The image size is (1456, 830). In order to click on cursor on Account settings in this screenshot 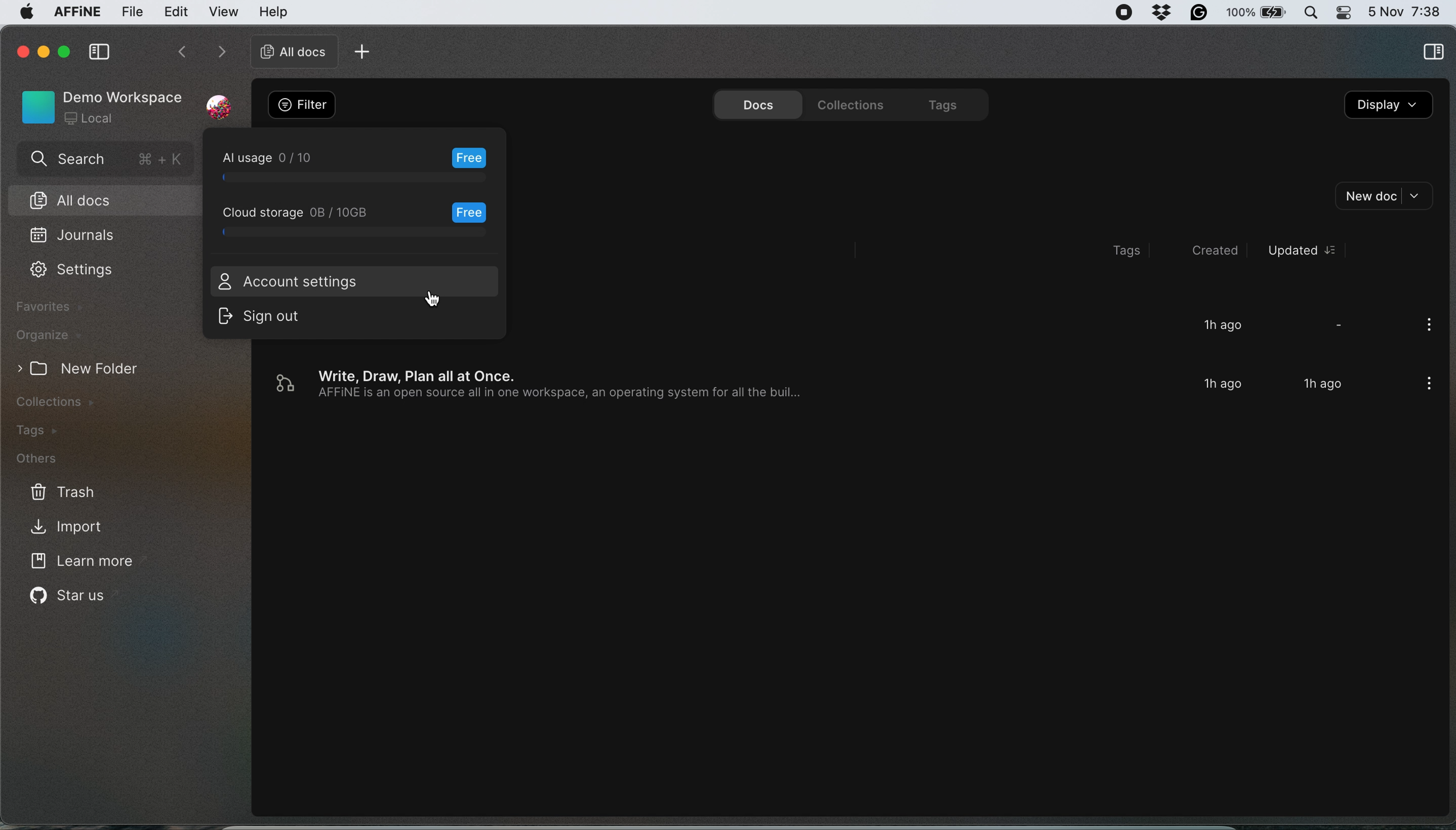, I will do `click(436, 302)`.